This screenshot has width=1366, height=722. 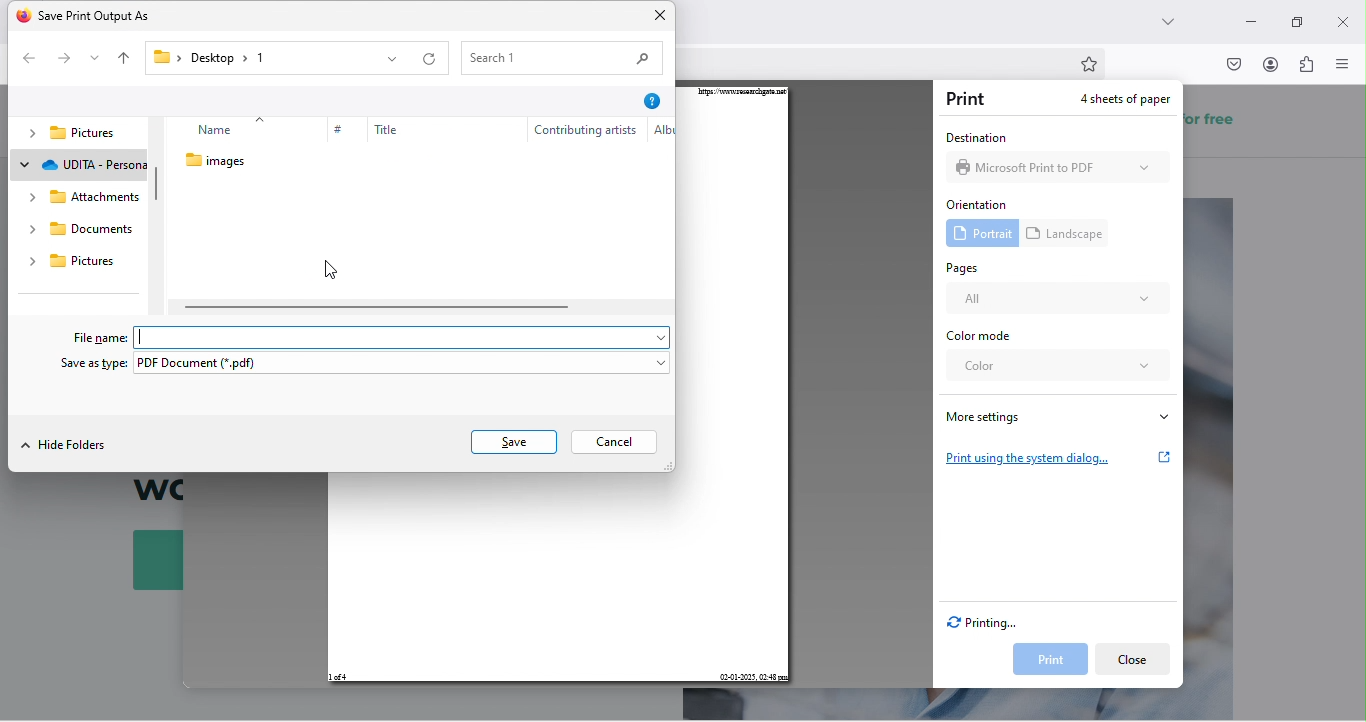 I want to click on cursor movement, so click(x=333, y=272).